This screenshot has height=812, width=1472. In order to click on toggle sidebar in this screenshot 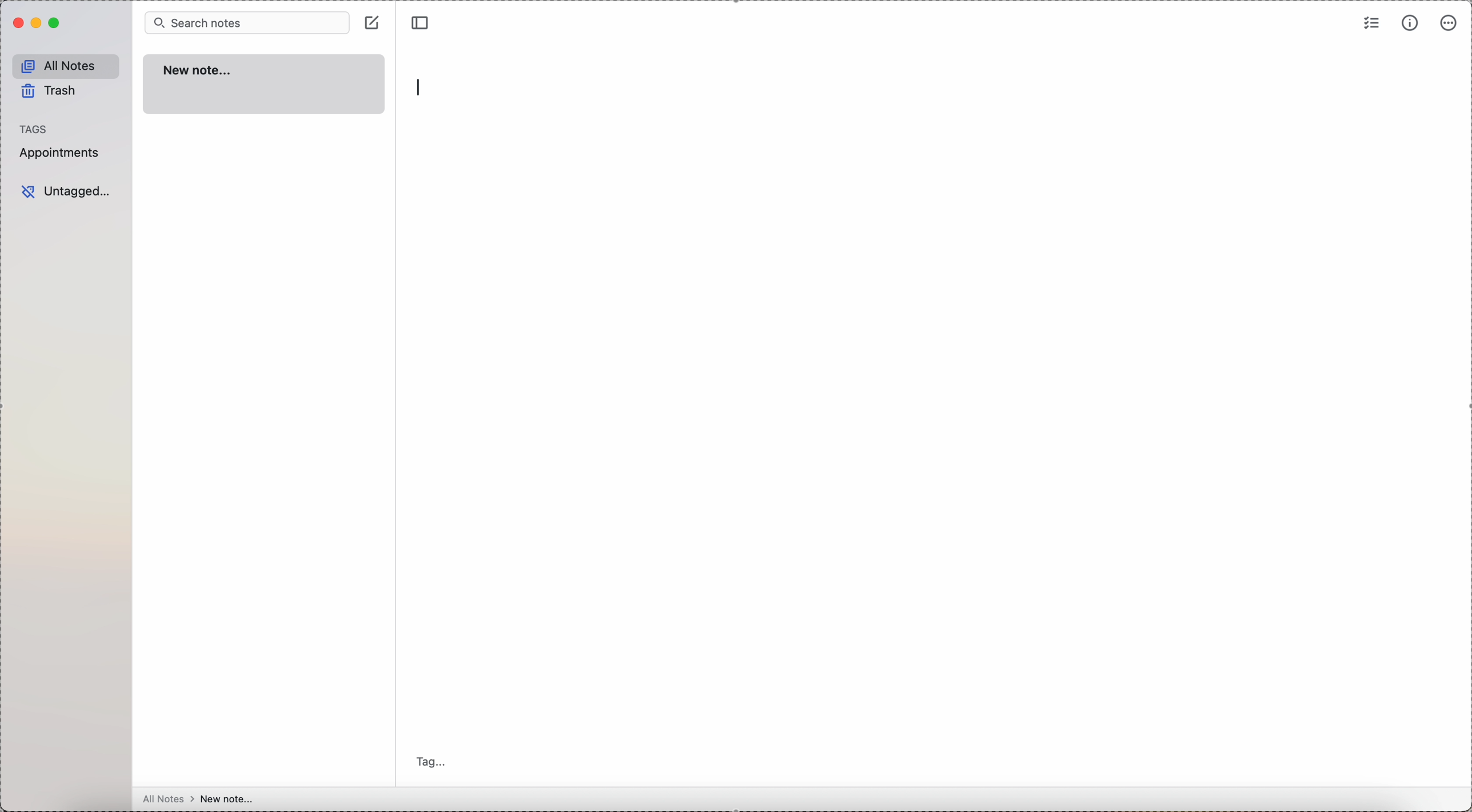, I will do `click(422, 21)`.